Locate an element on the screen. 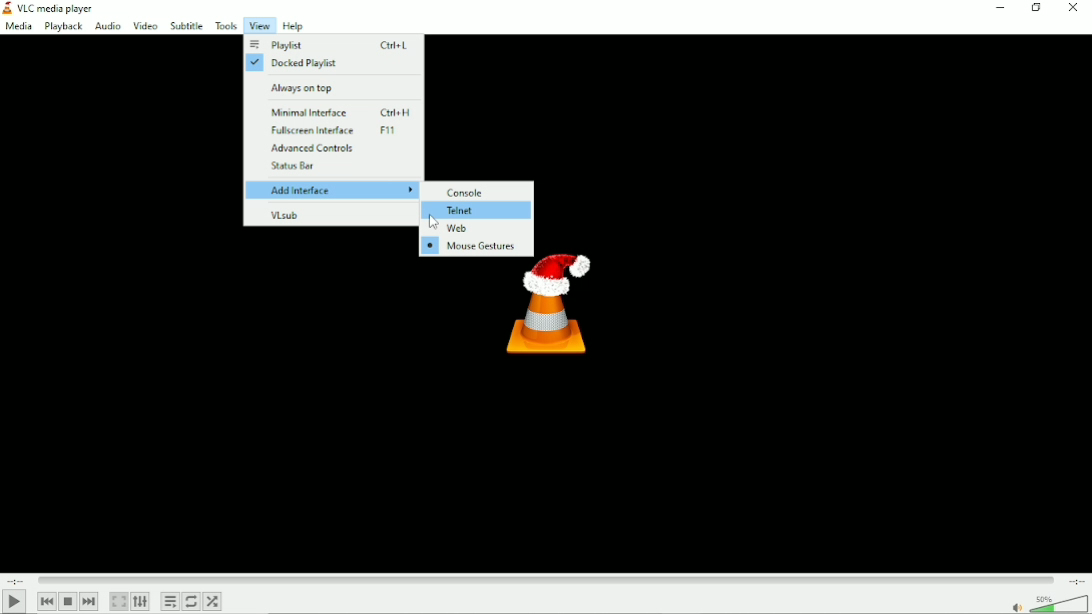 Image resolution: width=1092 pixels, height=614 pixels. Telnet is located at coordinates (477, 210).